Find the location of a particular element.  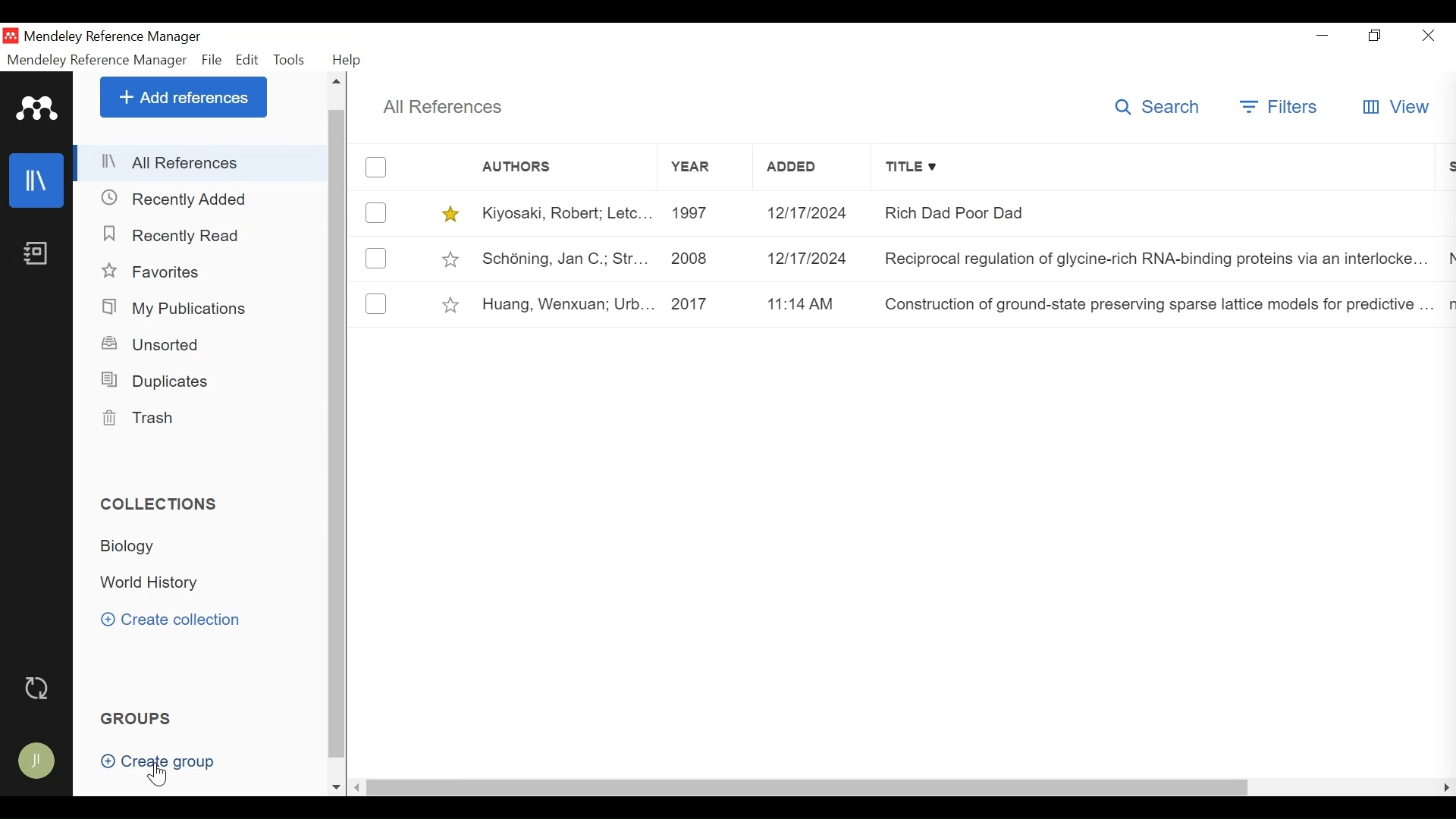

Scroll Left is located at coordinates (1447, 788).